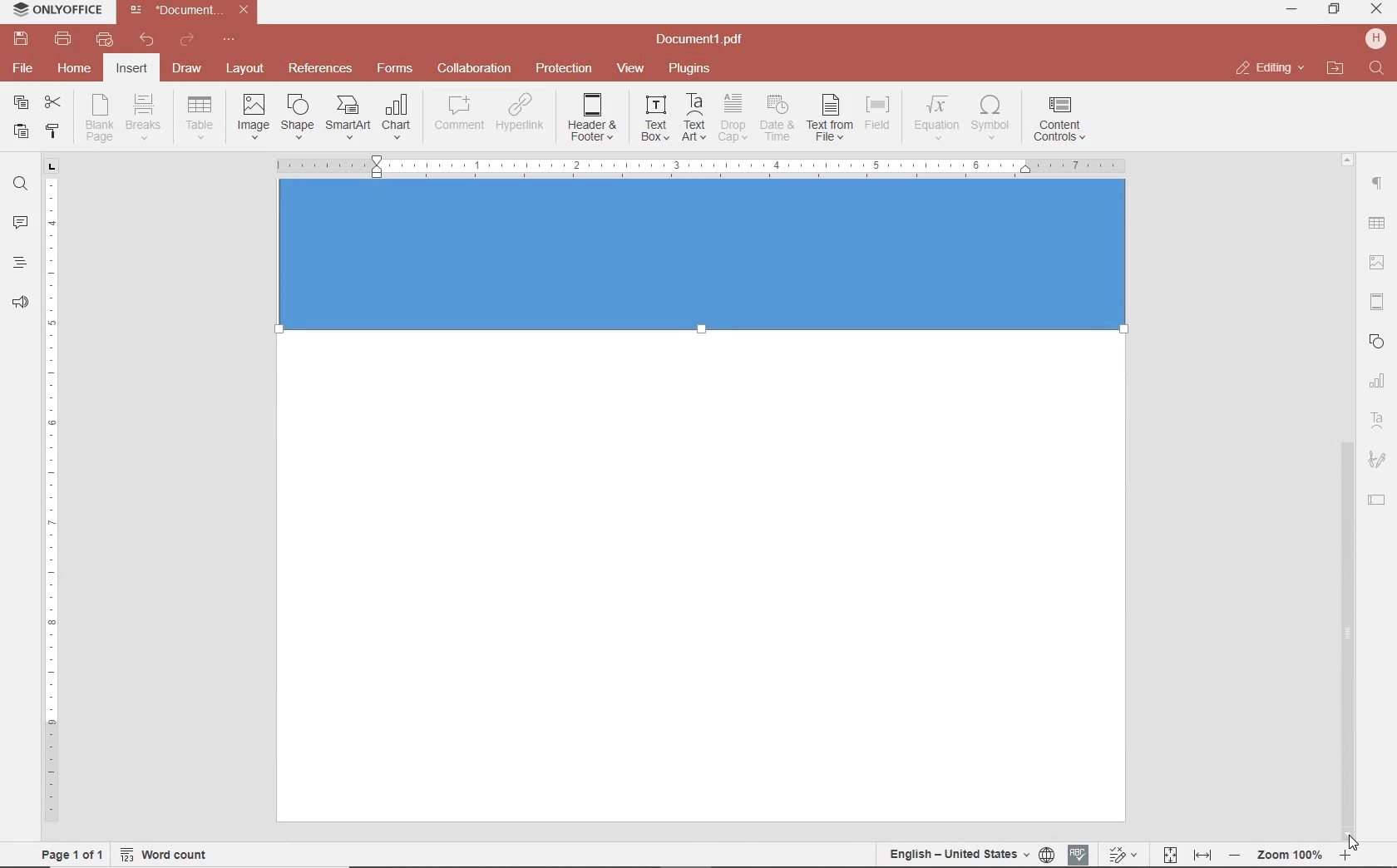 The height and width of the screenshot is (868, 1397). Describe the element at coordinates (318, 69) in the screenshot. I see `reference` at that location.